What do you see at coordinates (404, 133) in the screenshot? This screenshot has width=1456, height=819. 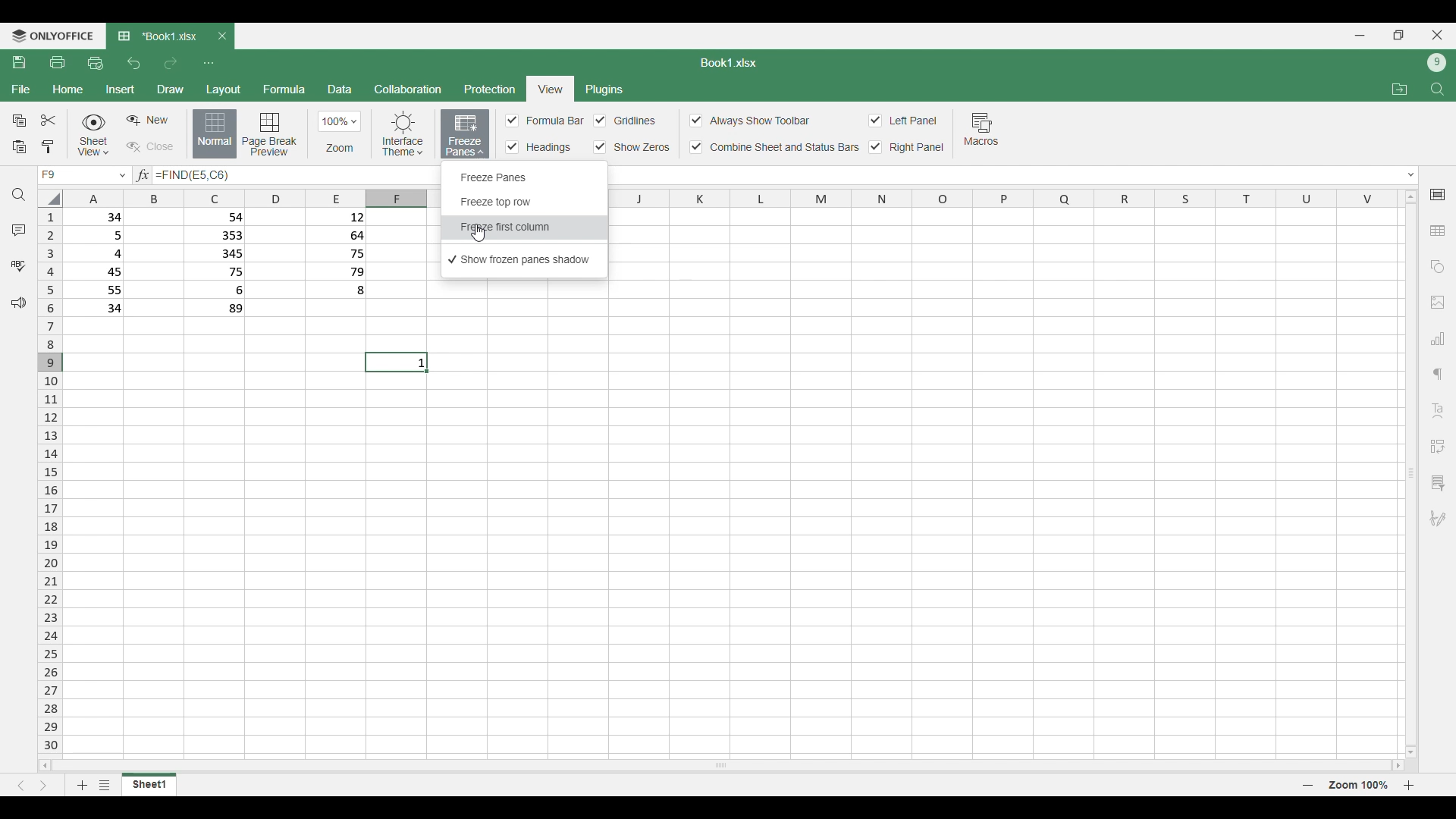 I see `Interface theme options` at bounding box center [404, 133].